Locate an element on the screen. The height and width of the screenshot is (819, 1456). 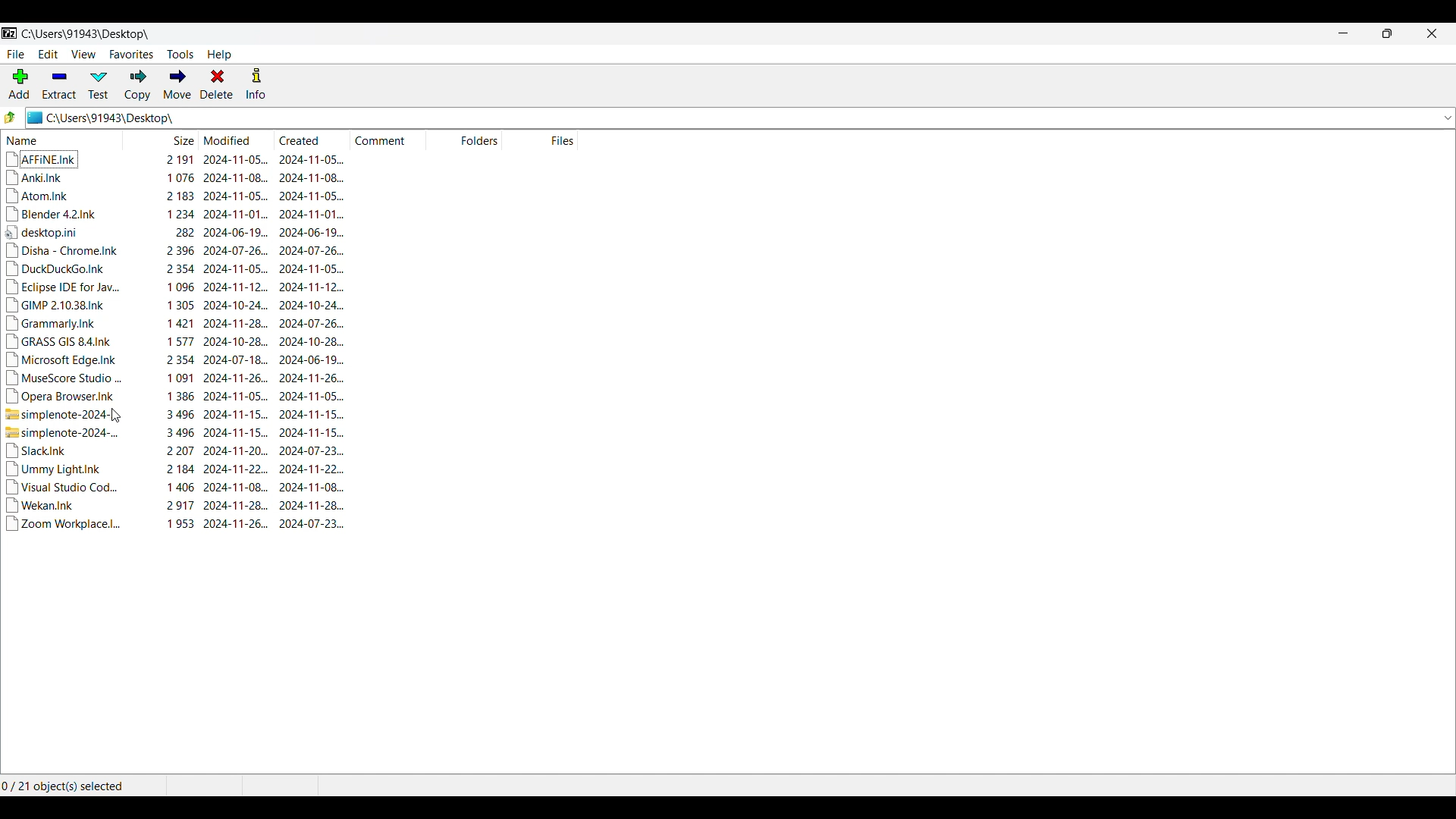
Slack.Ink 2207 2024-11-20... 2024-07-23. is located at coordinates (179, 450).